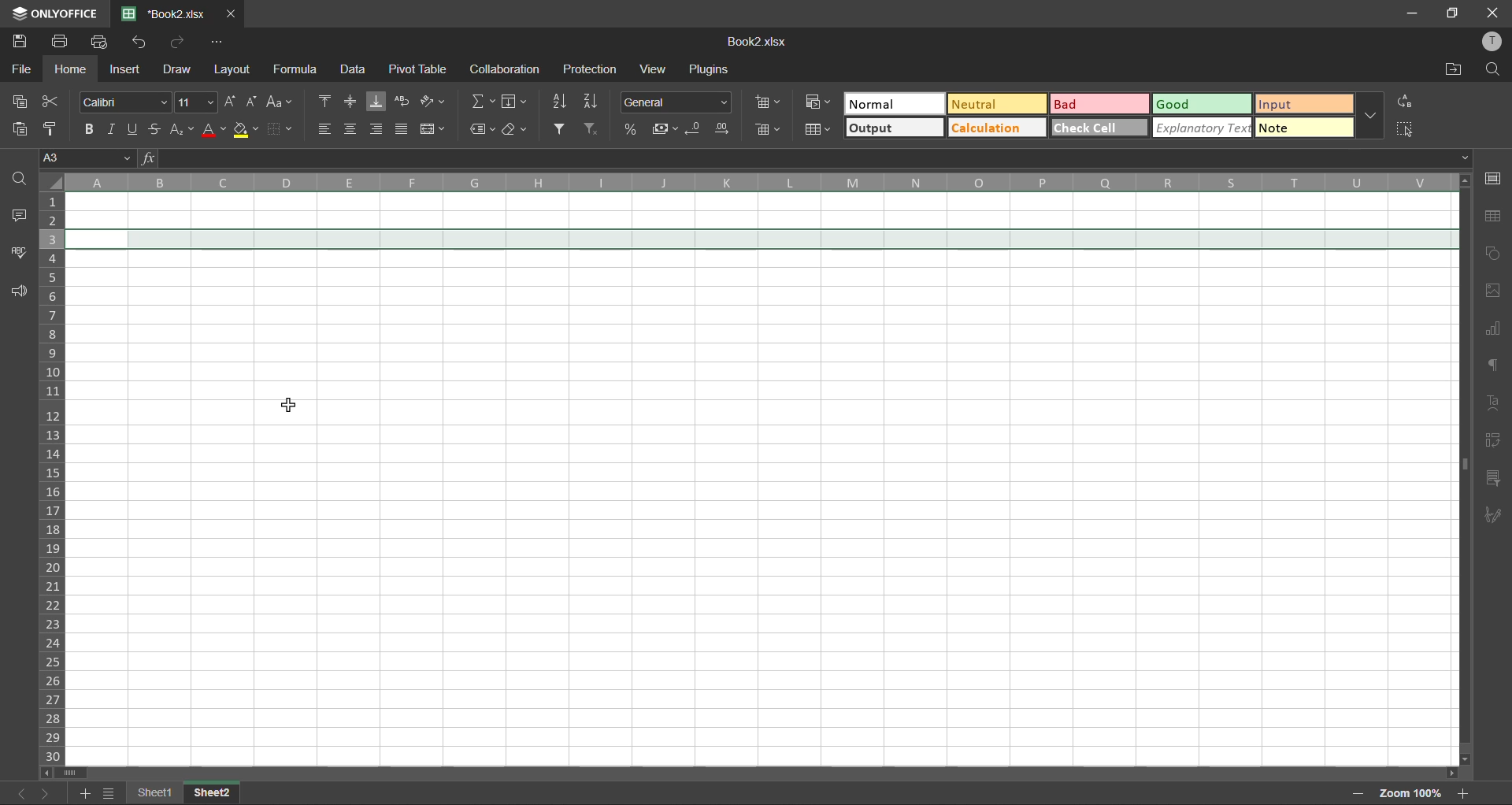 This screenshot has height=805, width=1512. What do you see at coordinates (438, 99) in the screenshot?
I see `orientation` at bounding box center [438, 99].